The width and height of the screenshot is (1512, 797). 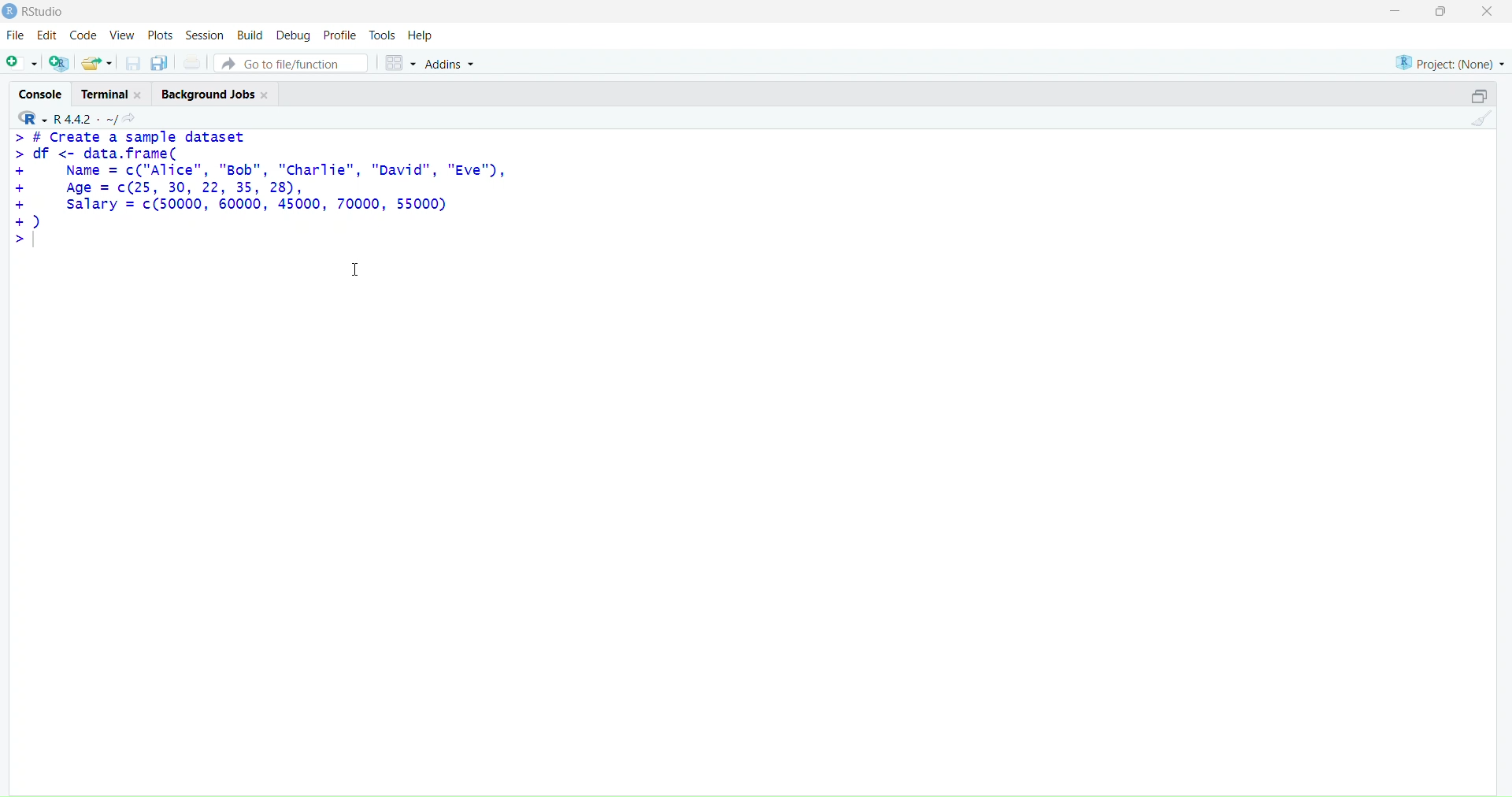 What do you see at coordinates (50, 35) in the screenshot?
I see `edit` at bounding box center [50, 35].